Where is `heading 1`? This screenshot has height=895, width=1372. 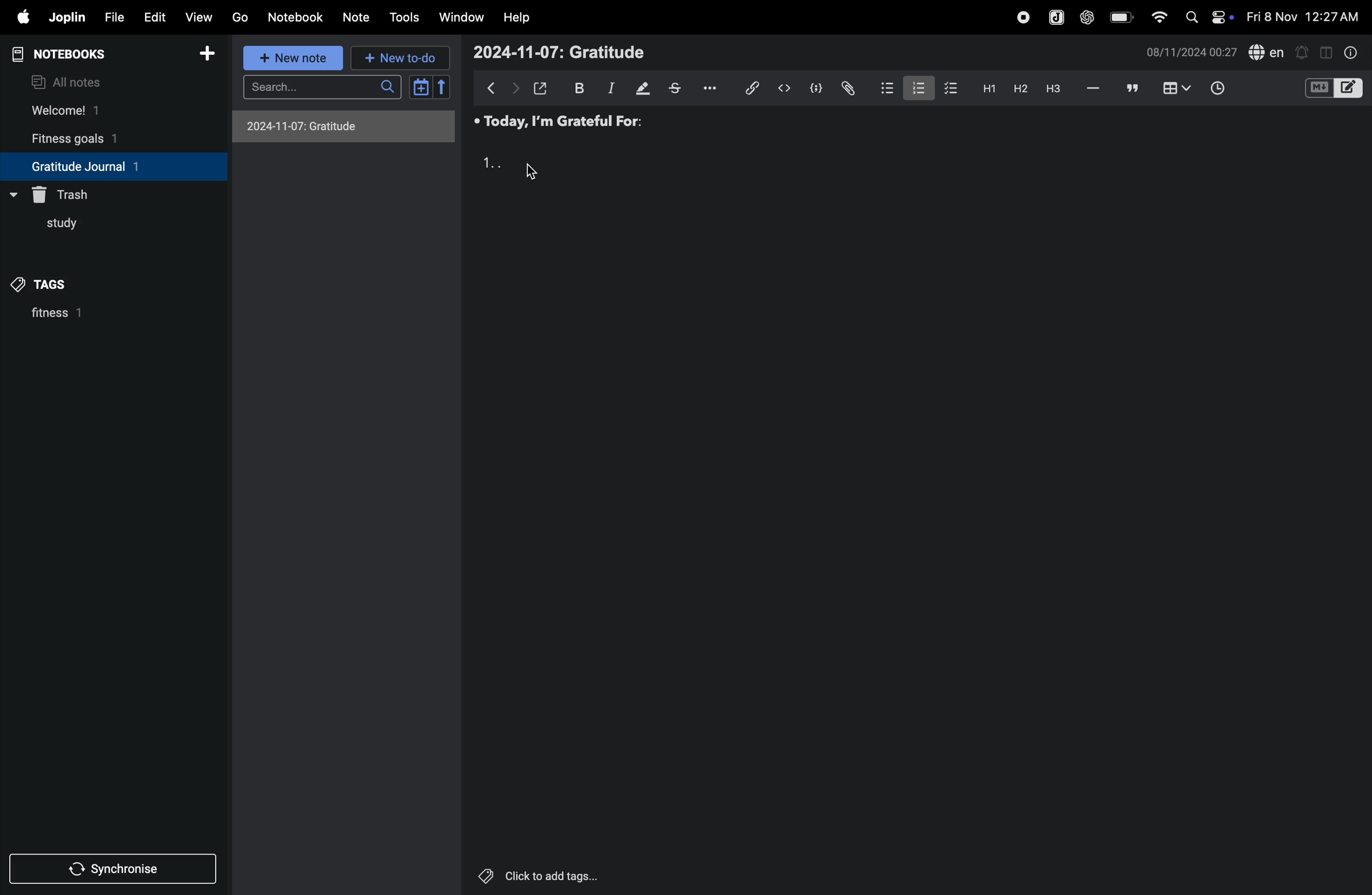 heading 1 is located at coordinates (986, 90).